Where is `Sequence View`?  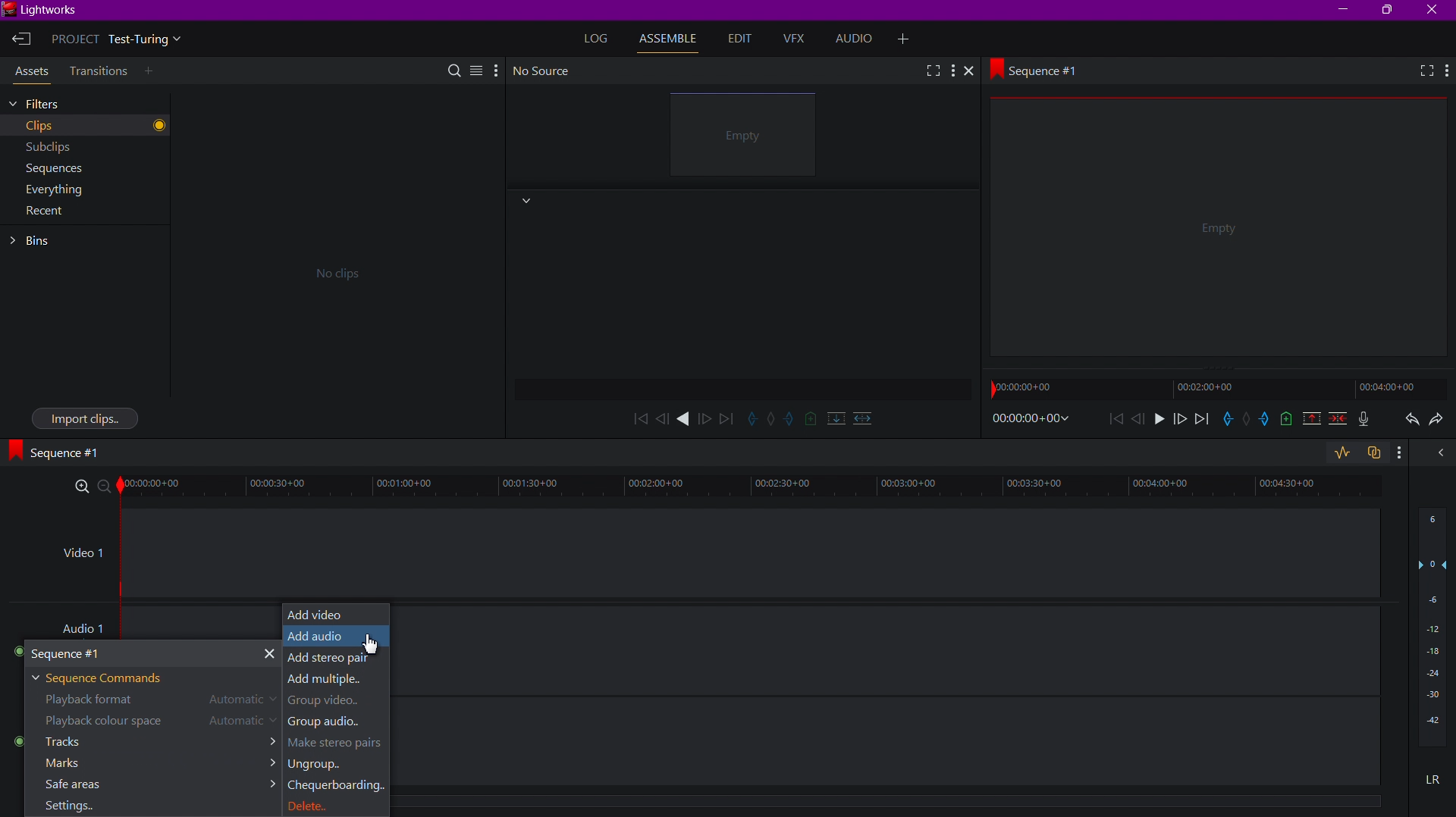 Sequence View is located at coordinates (1220, 233).